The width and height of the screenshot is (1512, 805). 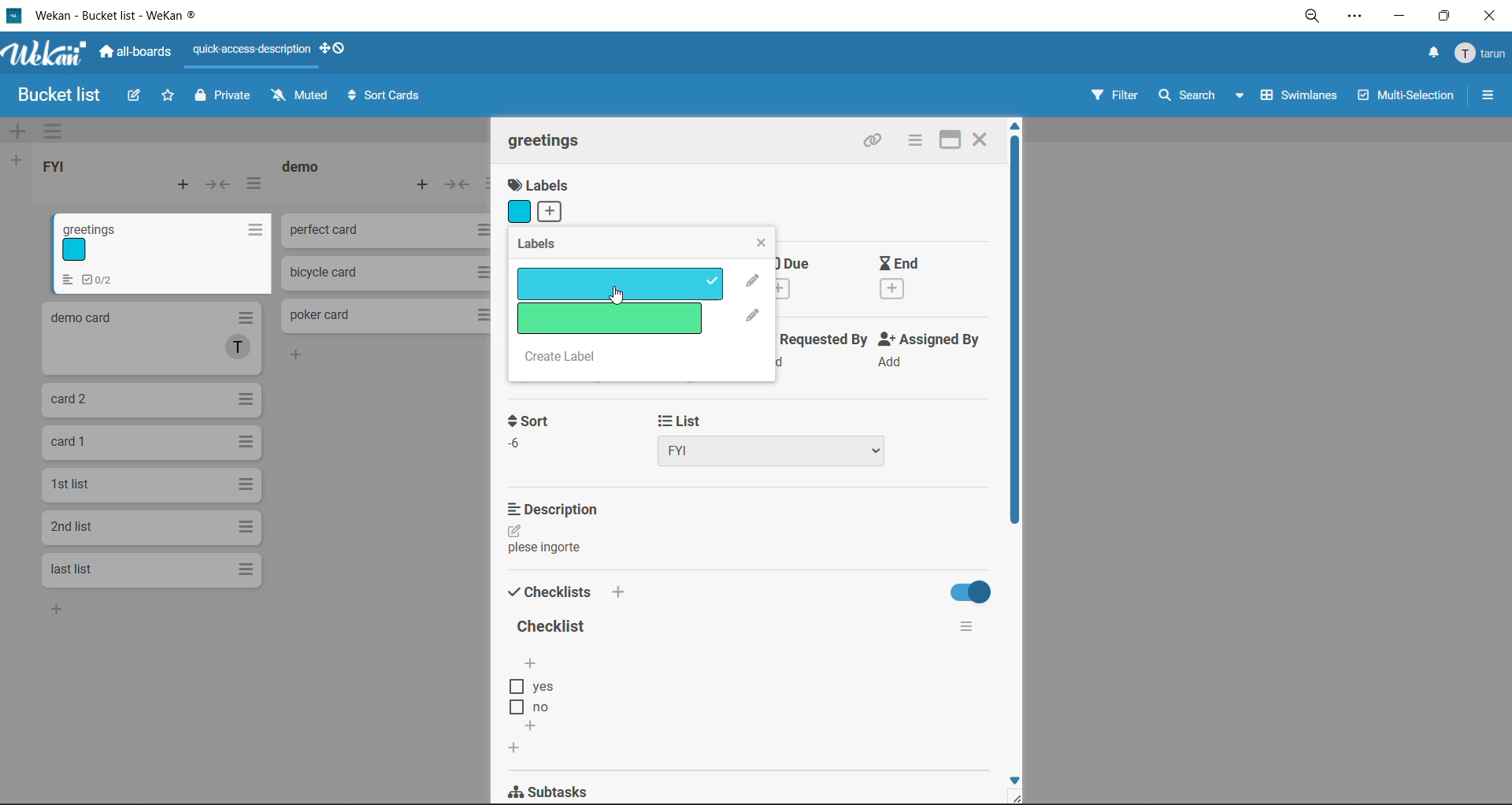 I want to click on card 4, so click(x=150, y=443).